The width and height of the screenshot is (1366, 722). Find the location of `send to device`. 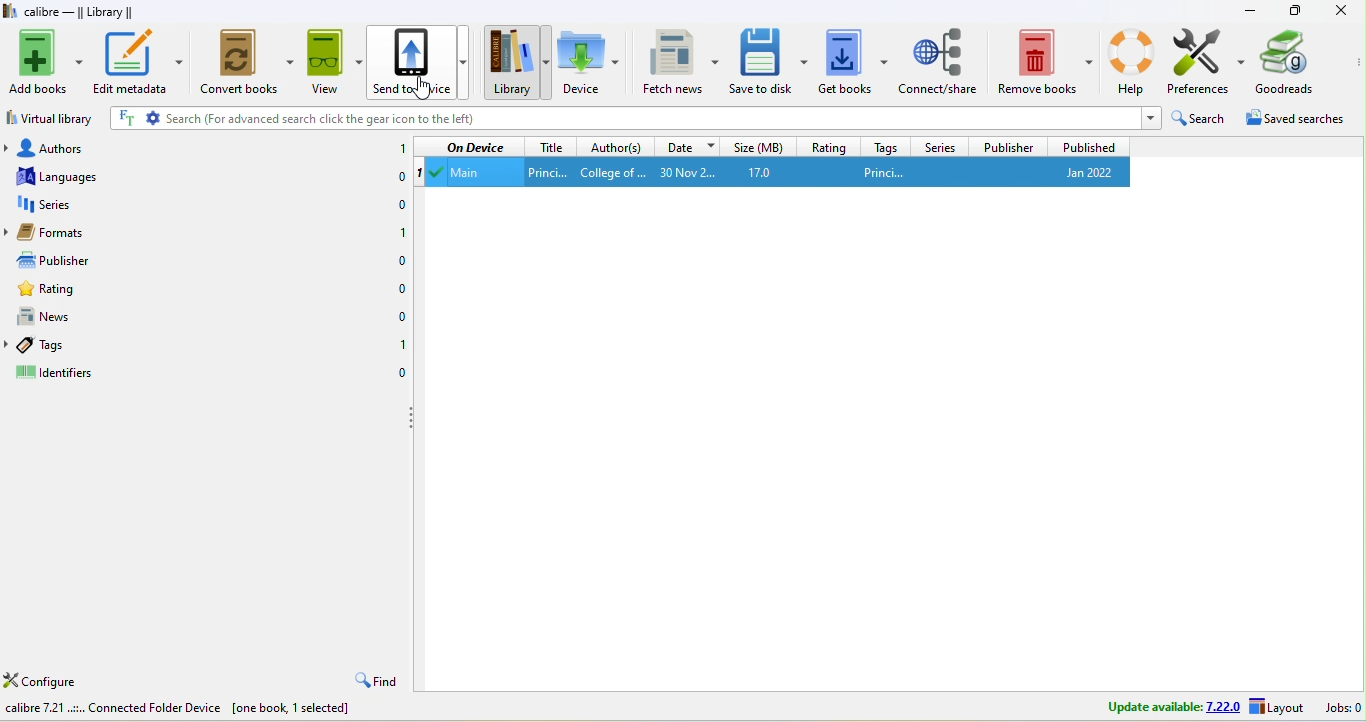

send to device is located at coordinates (418, 63).